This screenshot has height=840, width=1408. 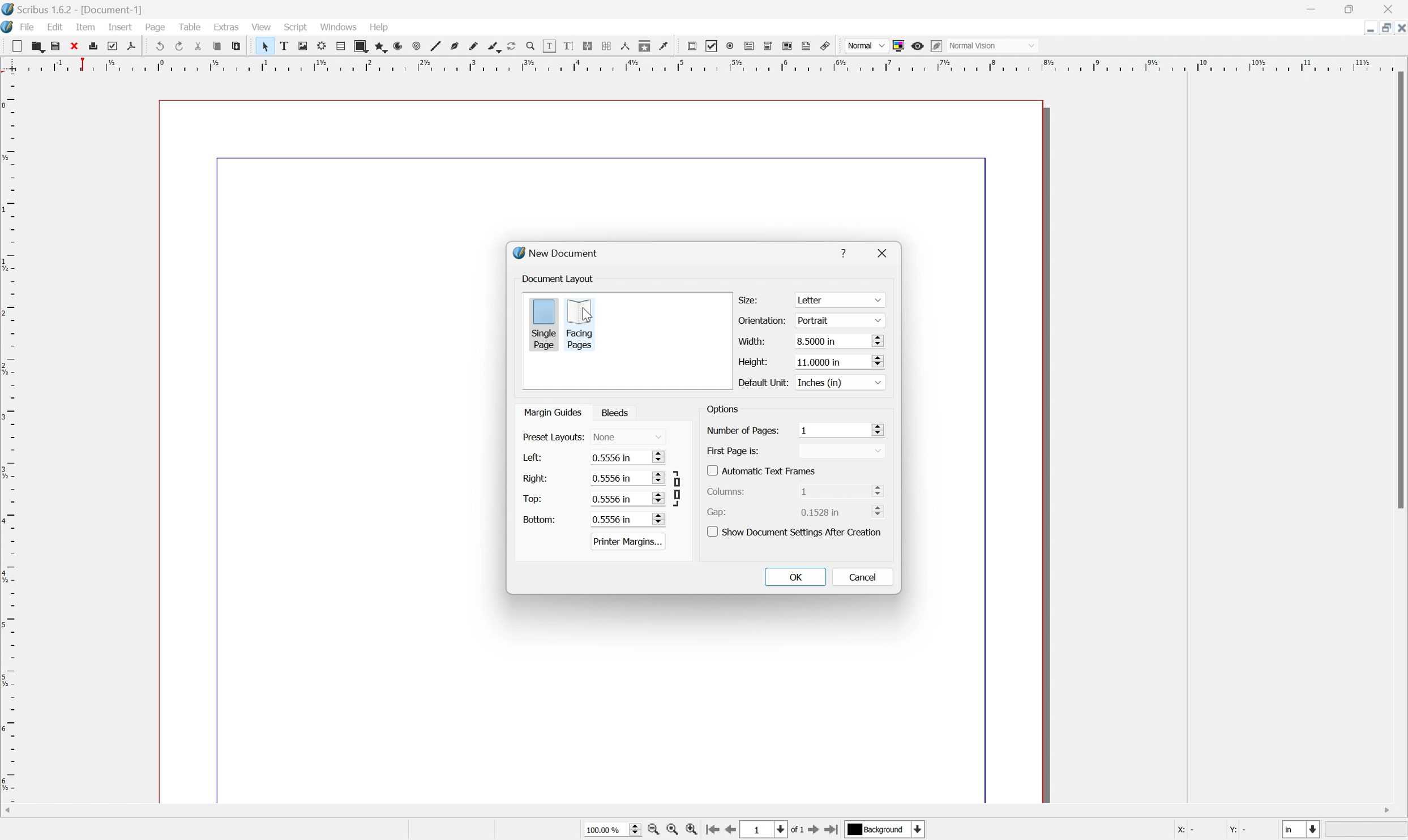 What do you see at coordinates (695, 830) in the screenshot?
I see `zoom in` at bounding box center [695, 830].